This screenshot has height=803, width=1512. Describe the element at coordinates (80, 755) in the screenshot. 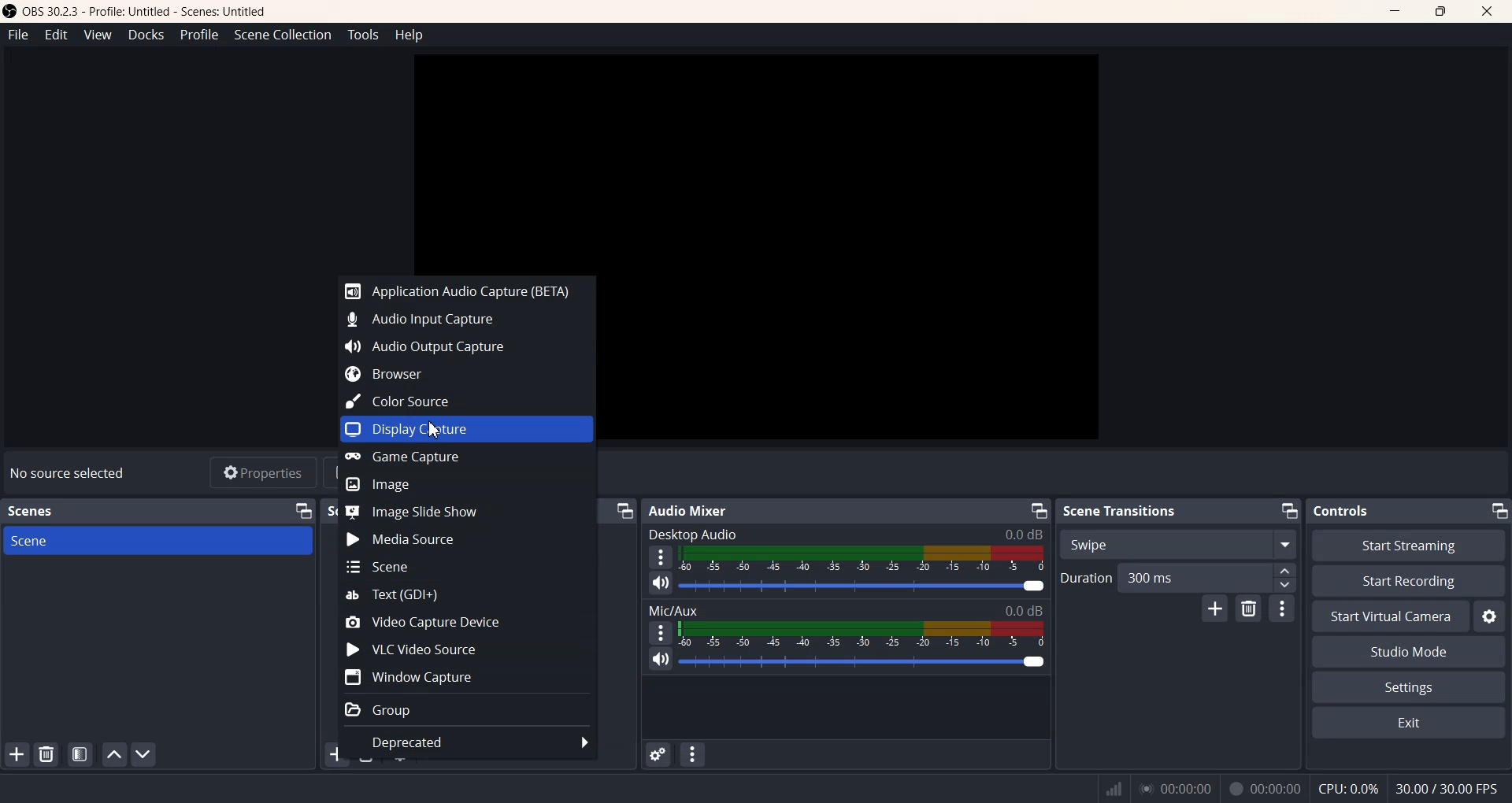

I see `Open scene Filter` at that location.